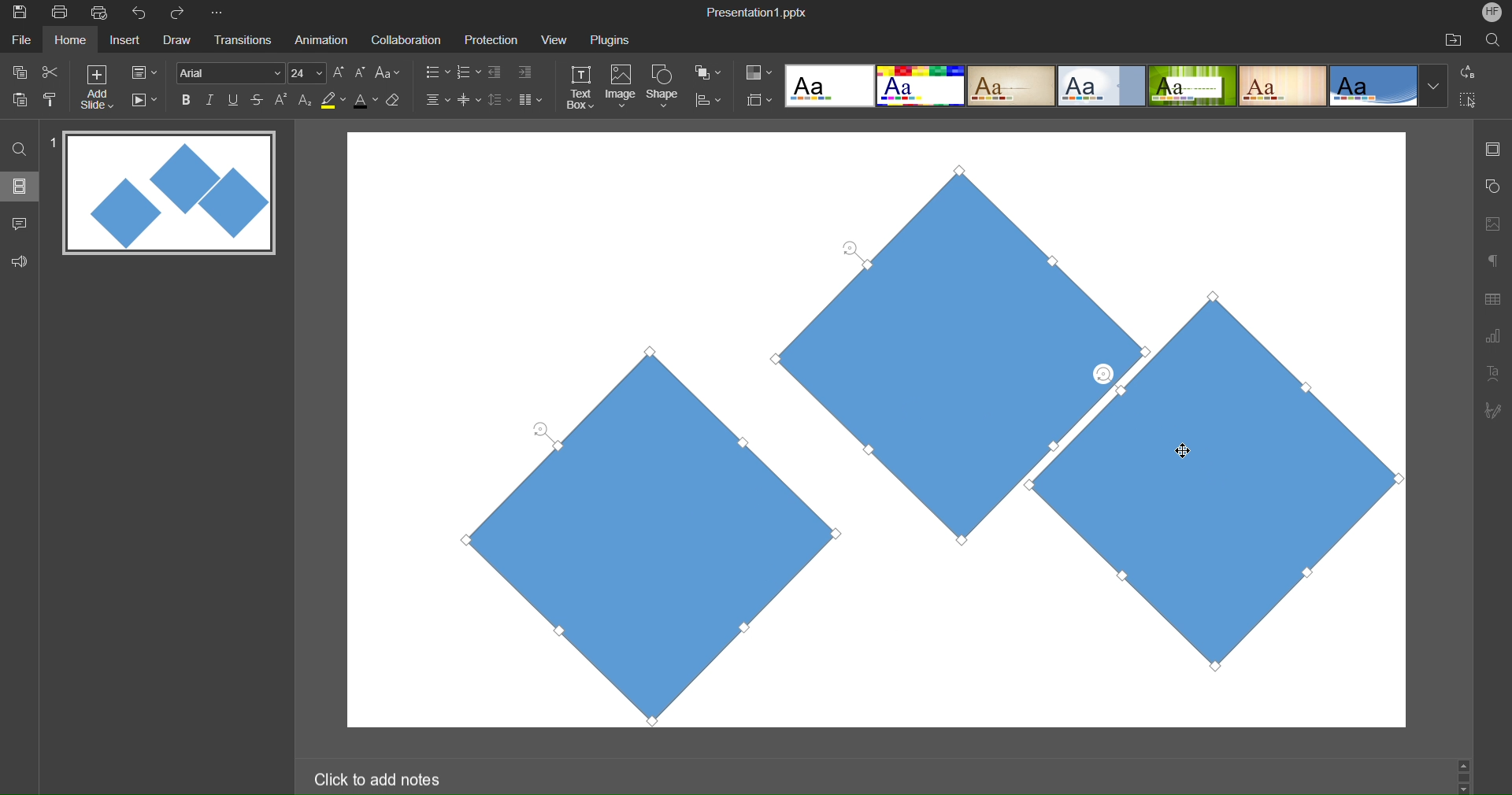 This screenshot has width=1512, height=795. I want to click on Vertical Align, so click(470, 99).